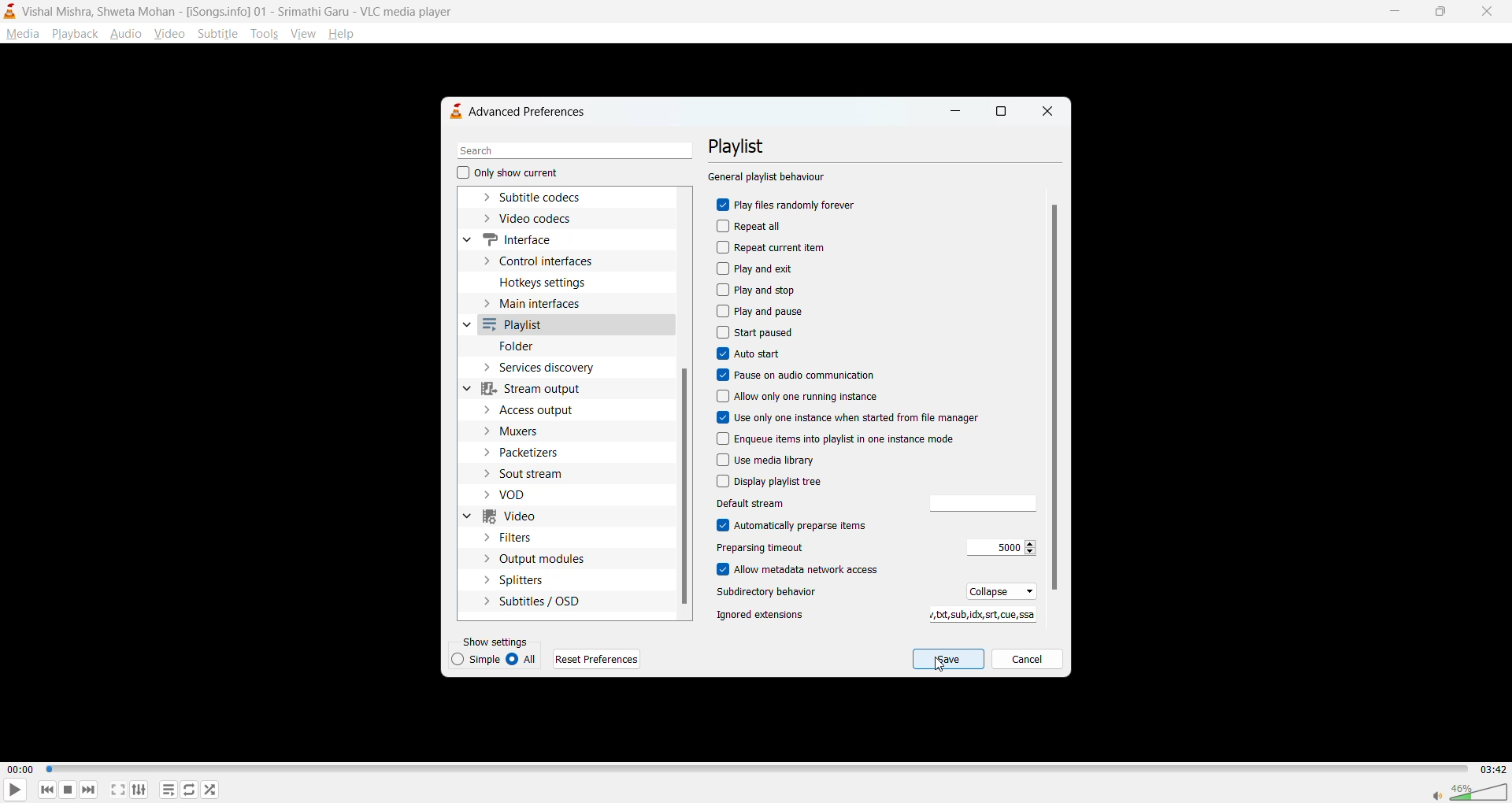  Describe the element at coordinates (779, 503) in the screenshot. I see `default stream` at that location.